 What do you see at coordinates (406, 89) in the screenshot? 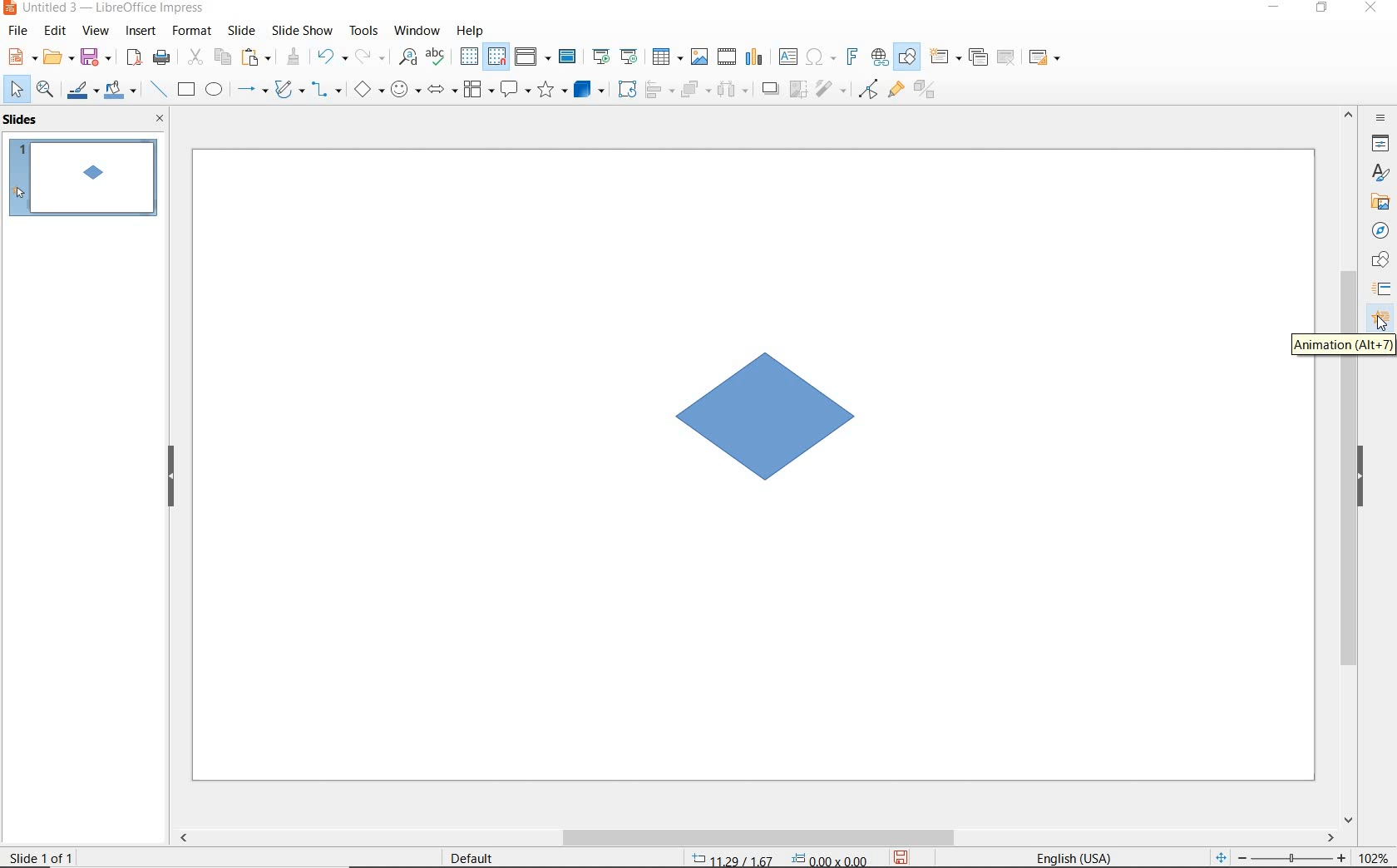
I see `symbol shapes` at bounding box center [406, 89].